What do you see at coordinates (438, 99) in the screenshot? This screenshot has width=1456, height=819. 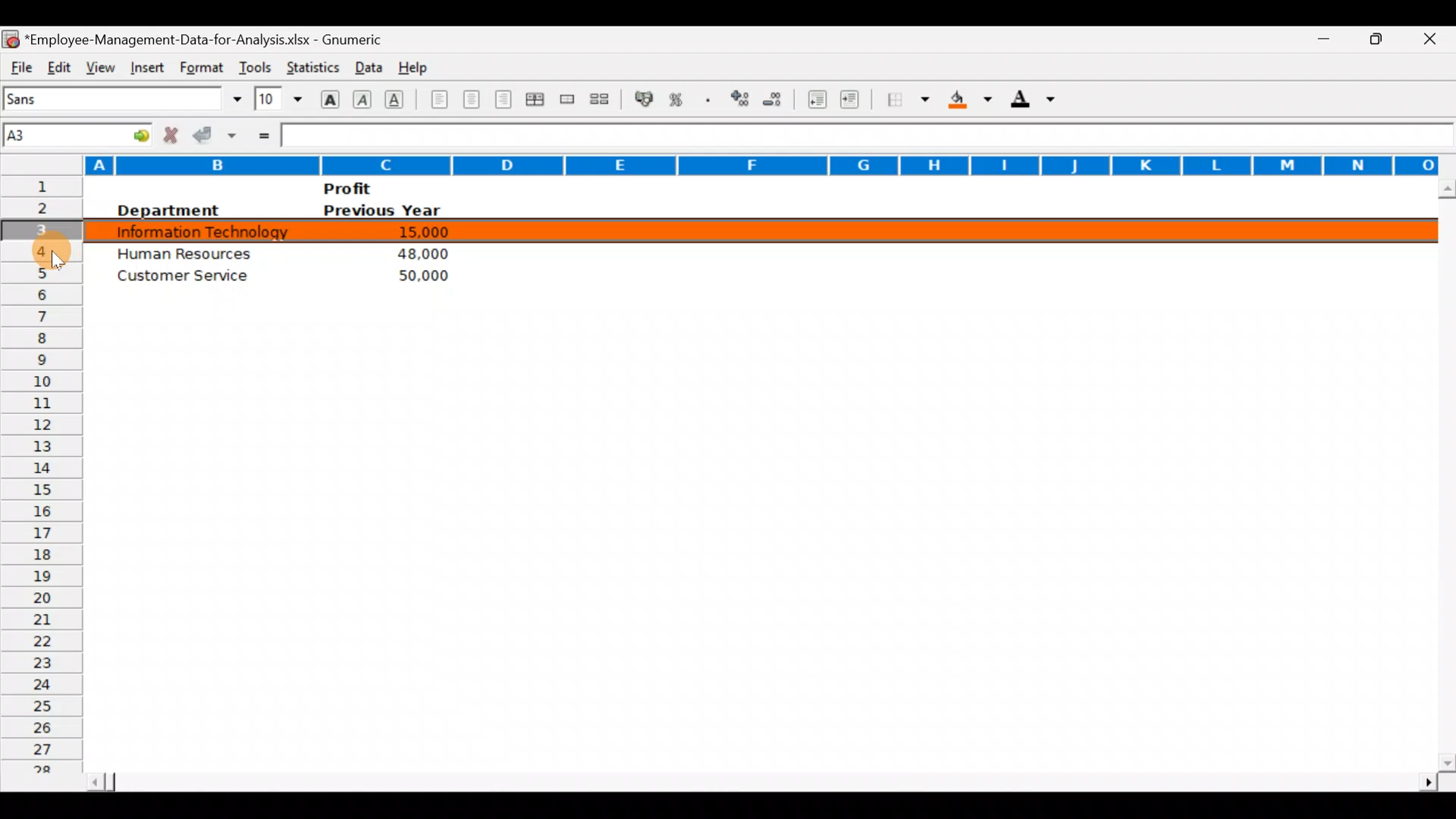 I see `Align left` at bounding box center [438, 99].